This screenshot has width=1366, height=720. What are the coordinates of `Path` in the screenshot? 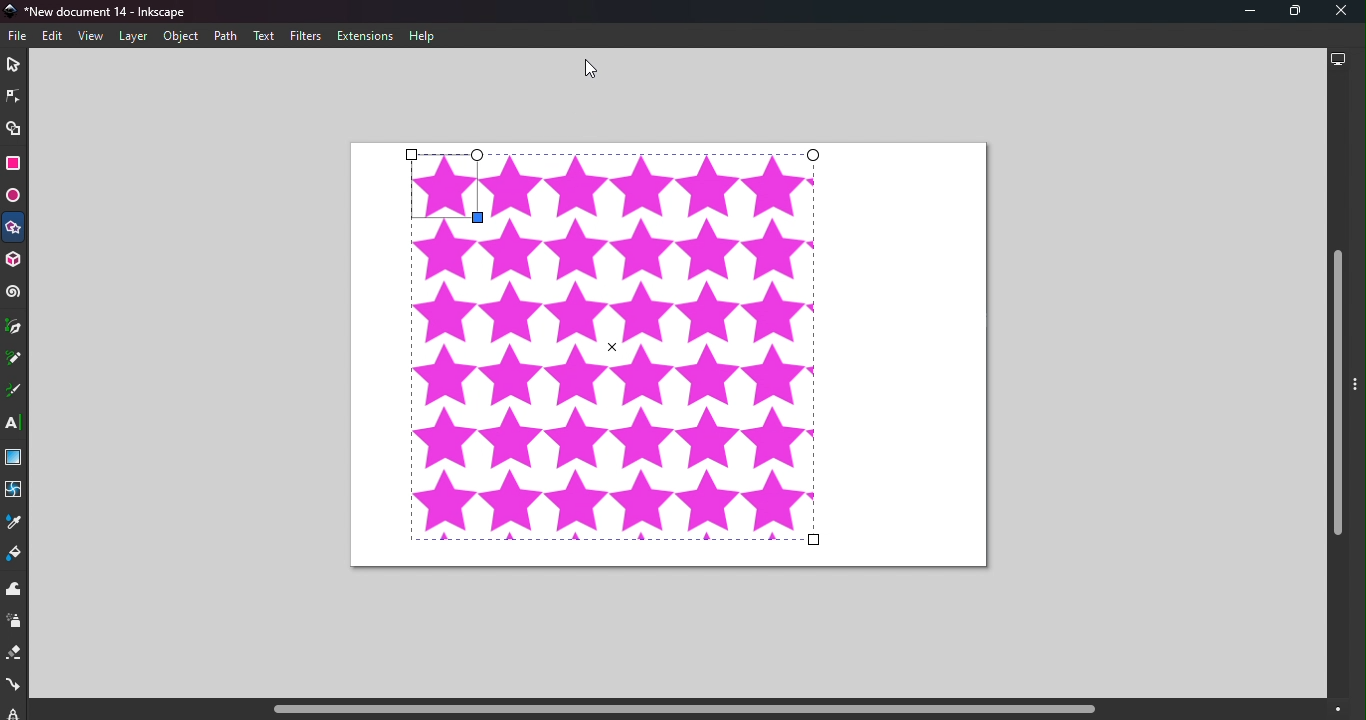 It's located at (223, 35).